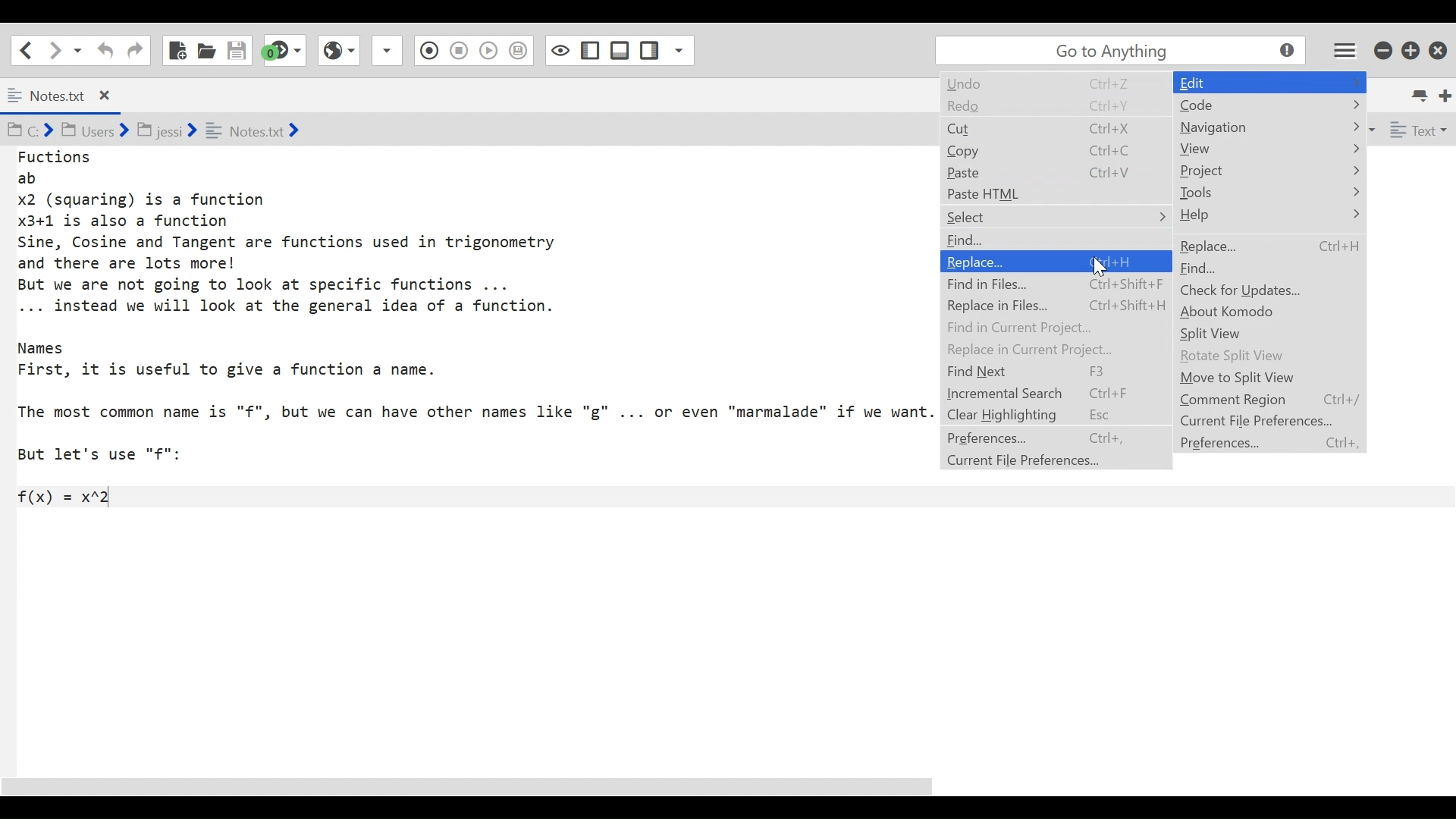 The width and height of the screenshot is (1456, 819). What do you see at coordinates (427, 52) in the screenshot?
I see `Stop Recording Macro` at bounding box center [427, 52].